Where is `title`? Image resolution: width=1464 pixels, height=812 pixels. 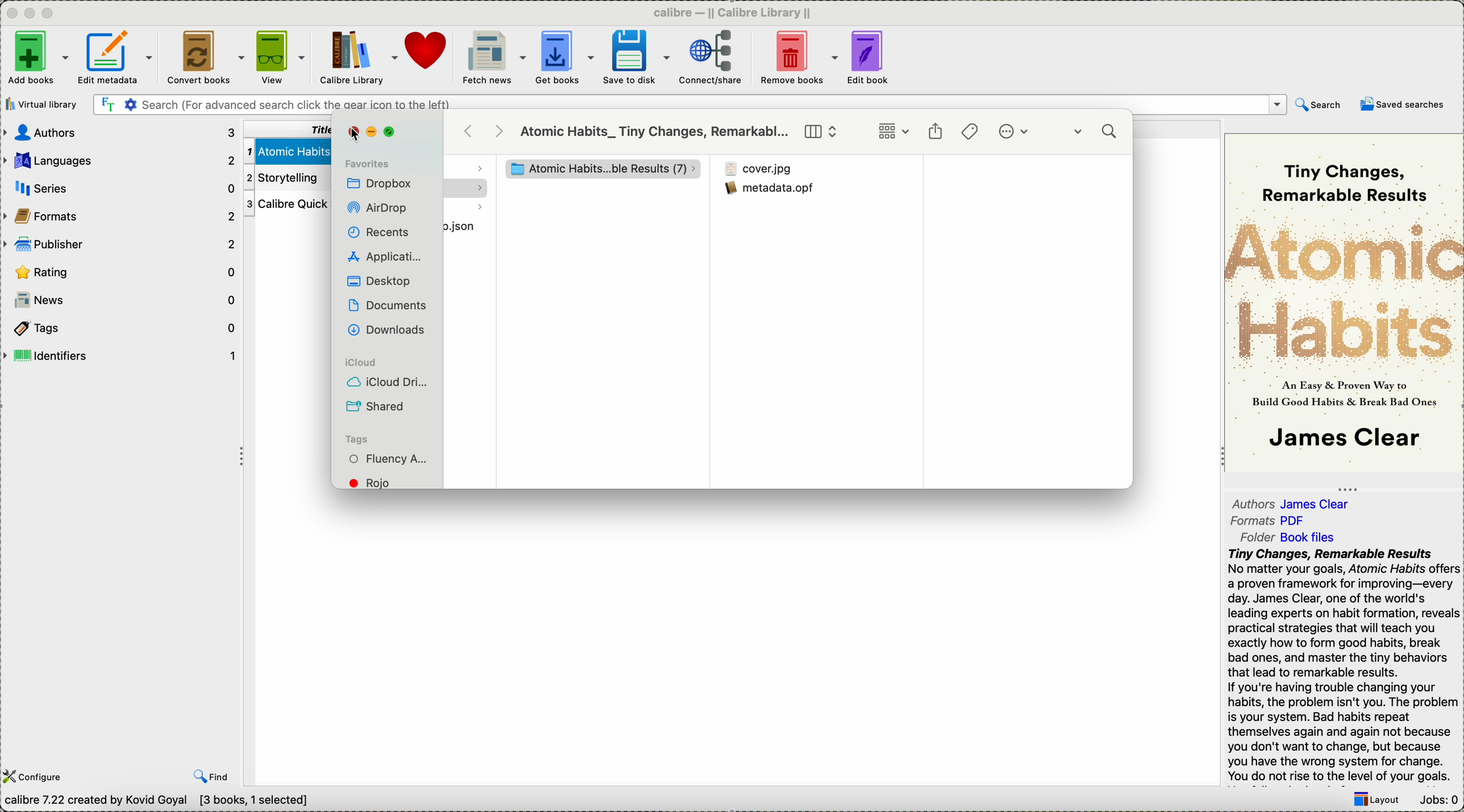
title is located at coordinates (290, 128).